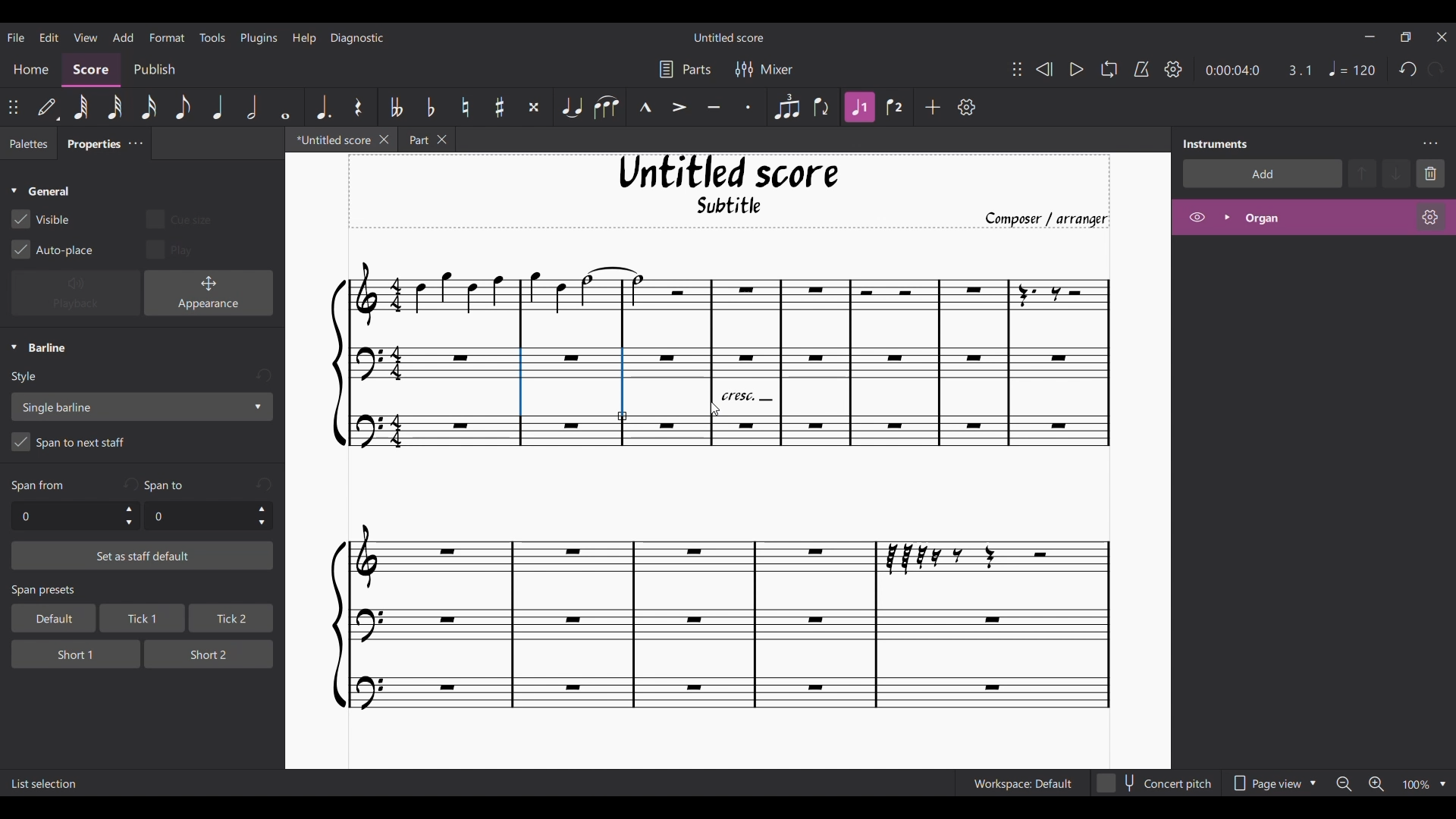 The image size is (1456, 819). Describe the element at coordinates (728, 37) in the screenshot. I see `Score title` at that location.